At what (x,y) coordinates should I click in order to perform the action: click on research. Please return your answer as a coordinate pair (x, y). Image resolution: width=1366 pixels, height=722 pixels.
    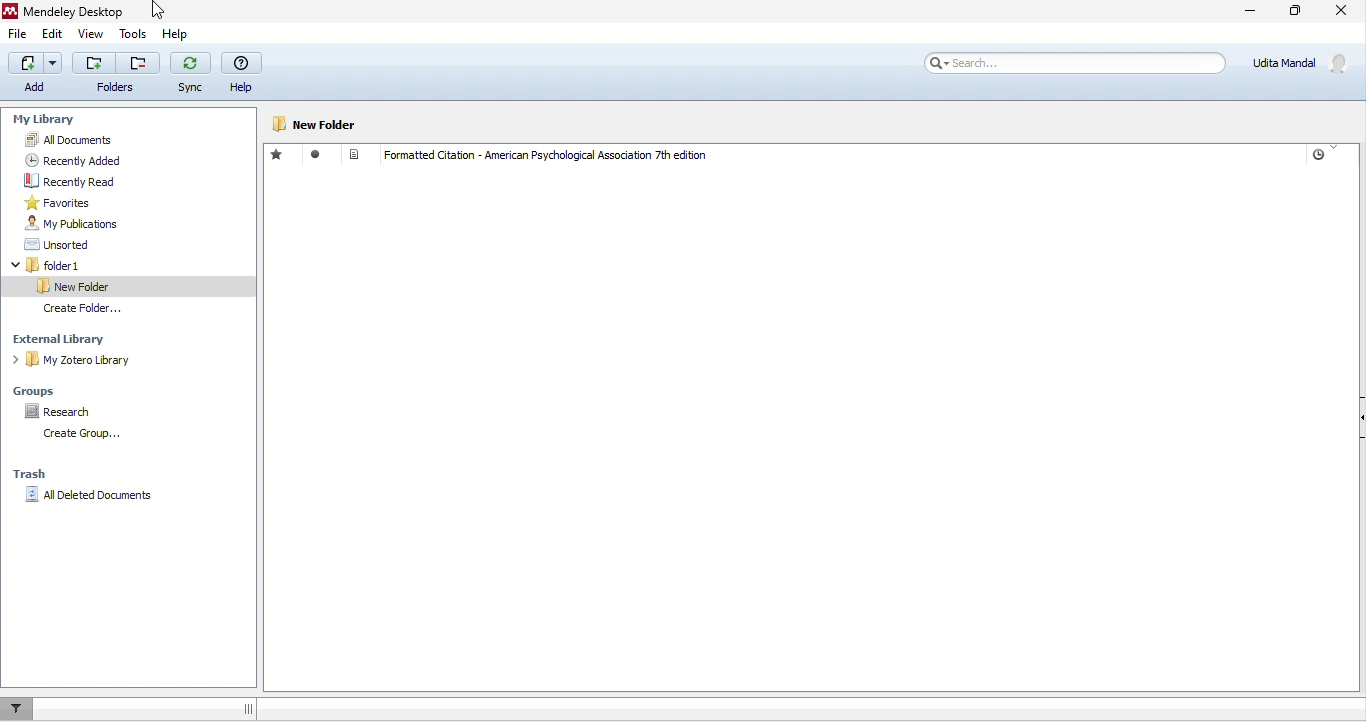
    Looking at the image, I should click on (61, 411).